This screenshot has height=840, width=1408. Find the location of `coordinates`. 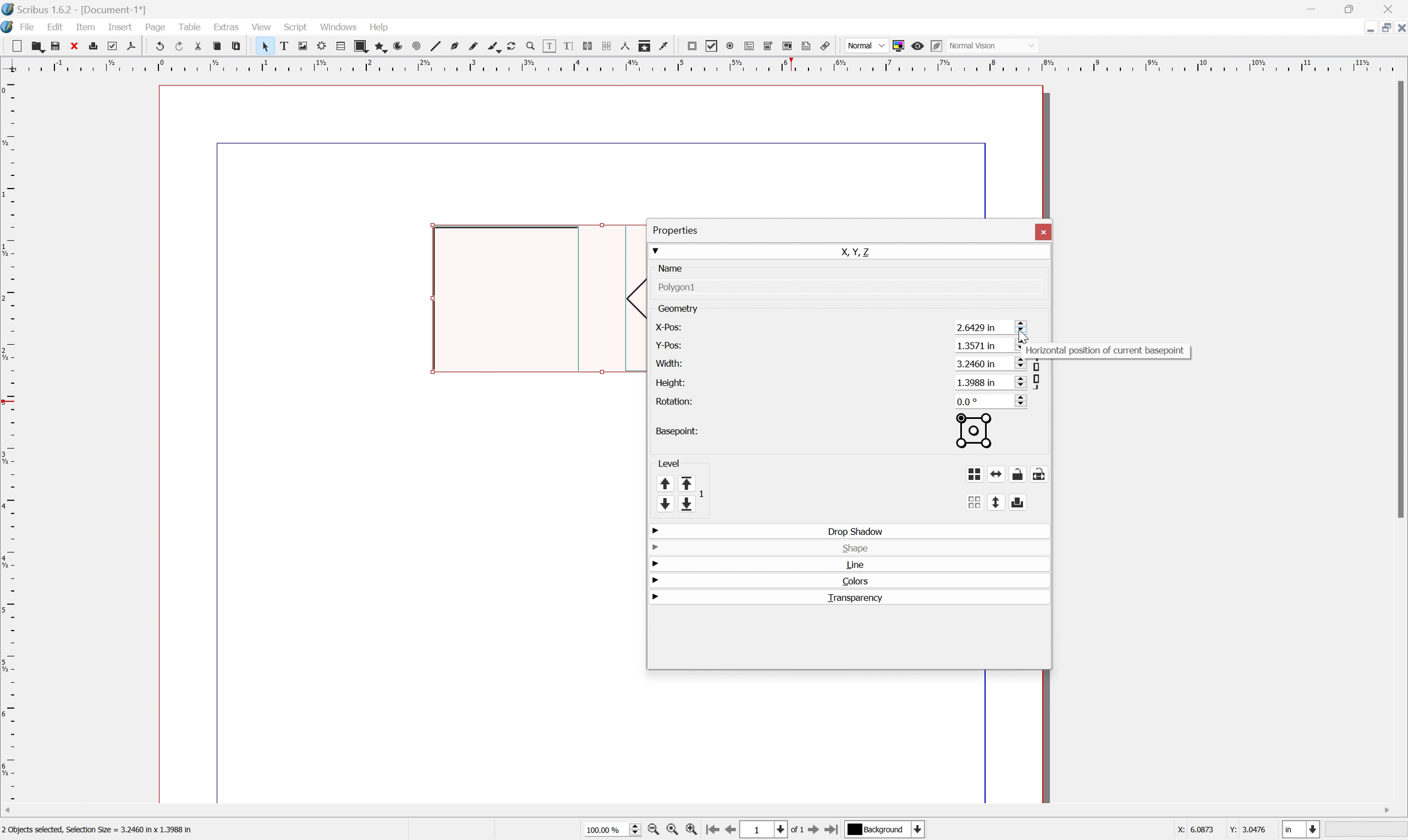

coordinates is located at coordinates (1221, 828).